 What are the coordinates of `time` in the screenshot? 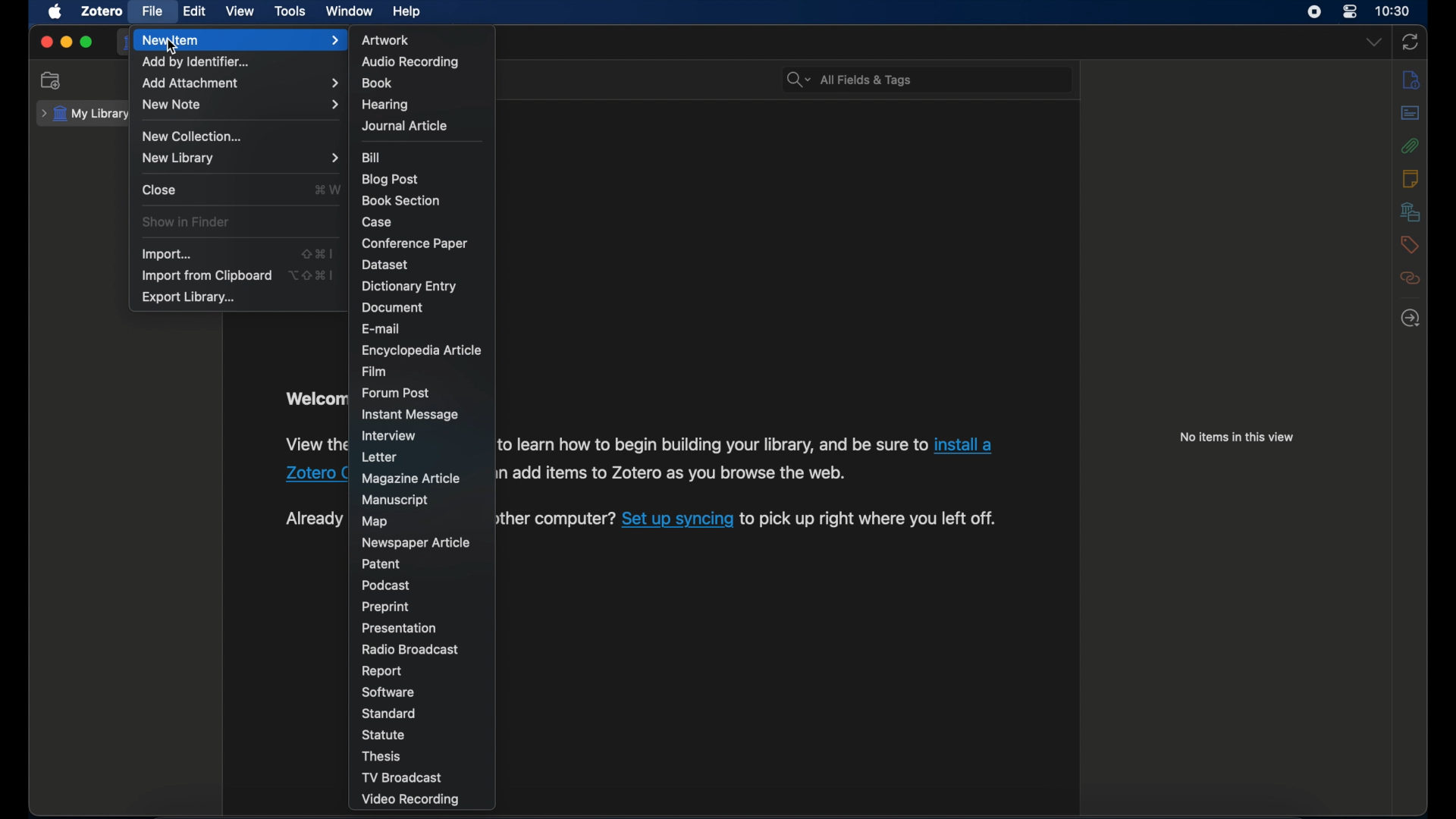 It's located at (1392, 11).